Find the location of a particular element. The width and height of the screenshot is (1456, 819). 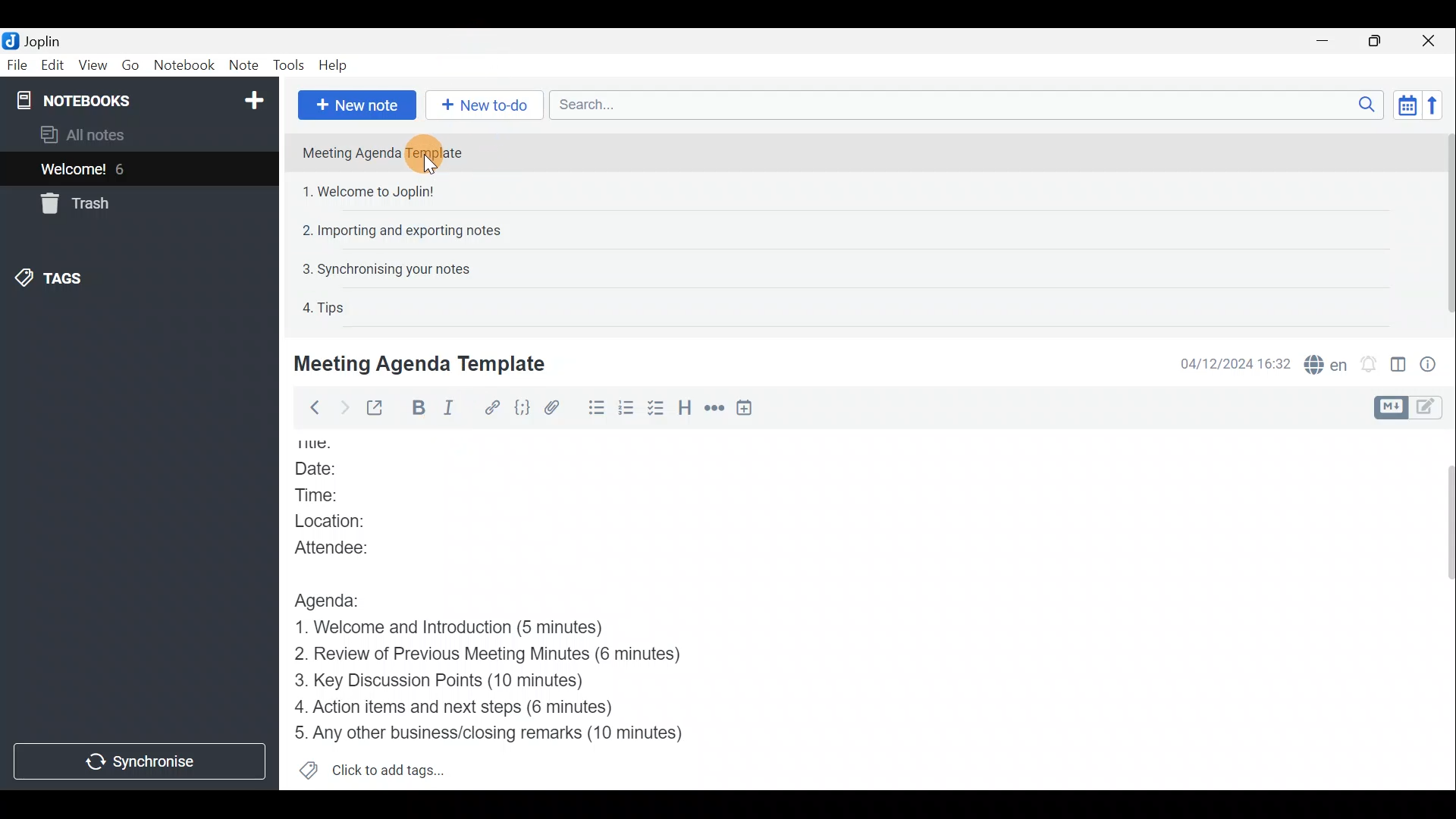

View is located at coordinates (89, 67).